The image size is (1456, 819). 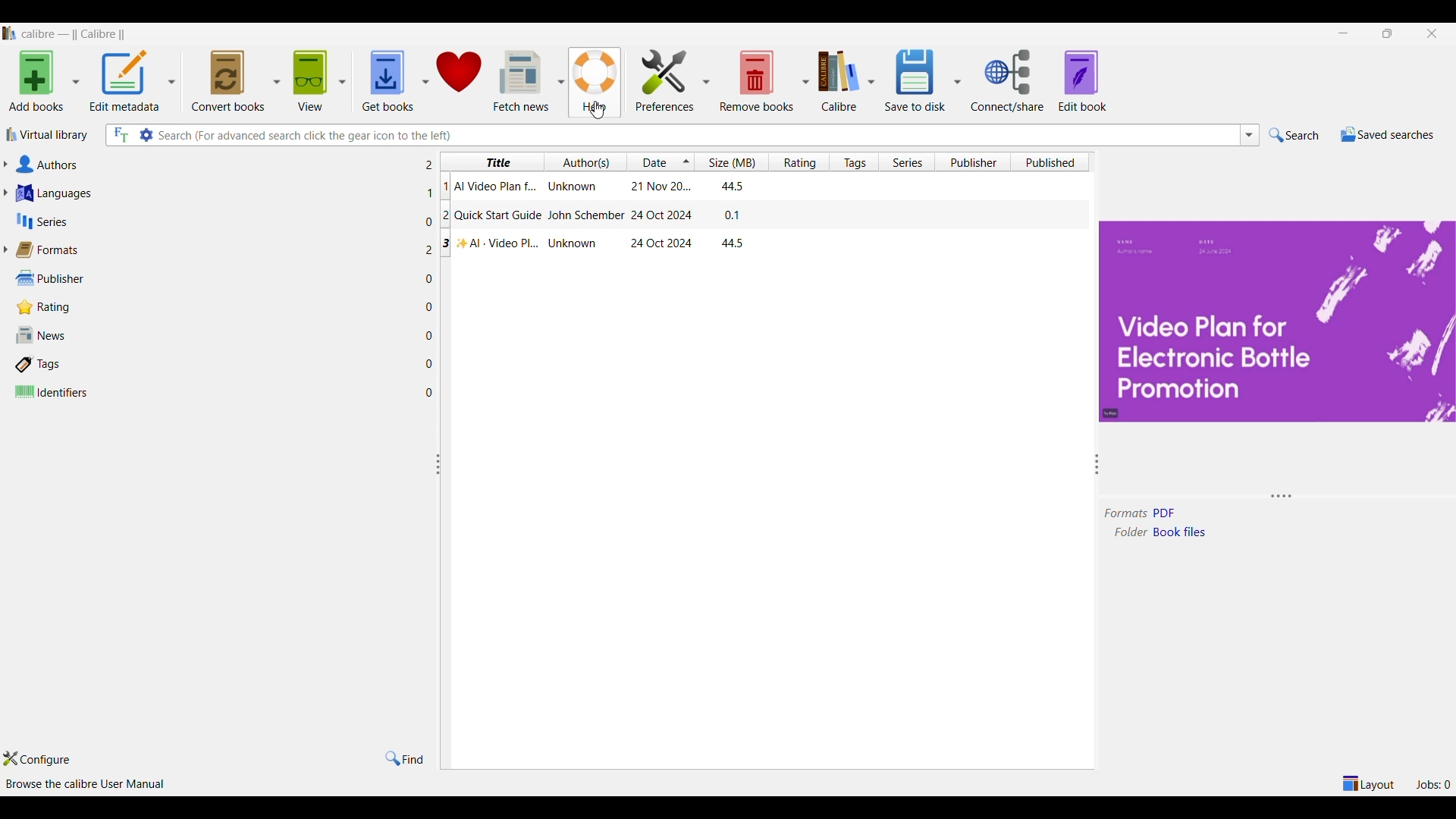 I want to click on Fetch news, so click(x=521, y=81).